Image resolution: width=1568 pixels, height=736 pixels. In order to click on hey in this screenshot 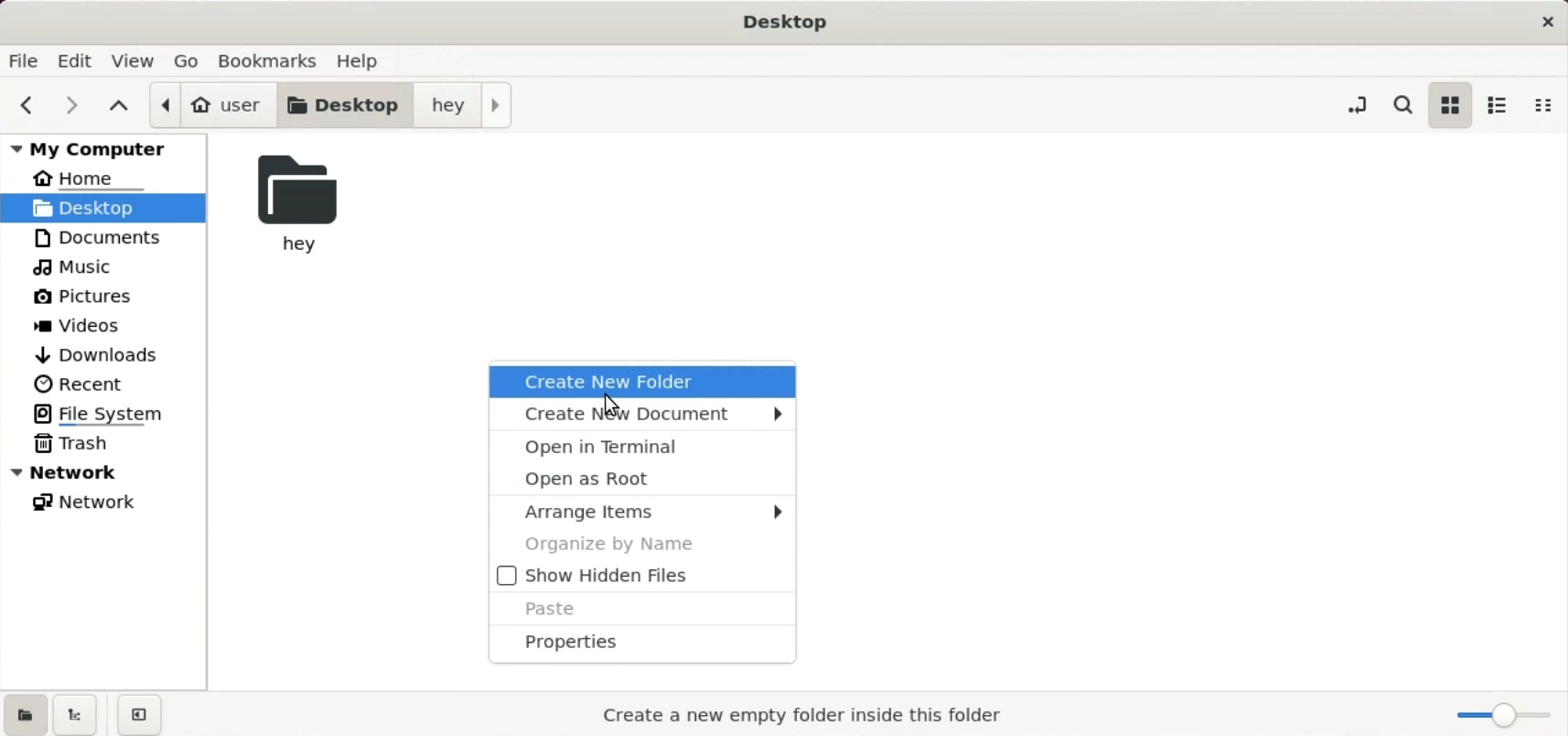, I will do `click(298, 206)`.